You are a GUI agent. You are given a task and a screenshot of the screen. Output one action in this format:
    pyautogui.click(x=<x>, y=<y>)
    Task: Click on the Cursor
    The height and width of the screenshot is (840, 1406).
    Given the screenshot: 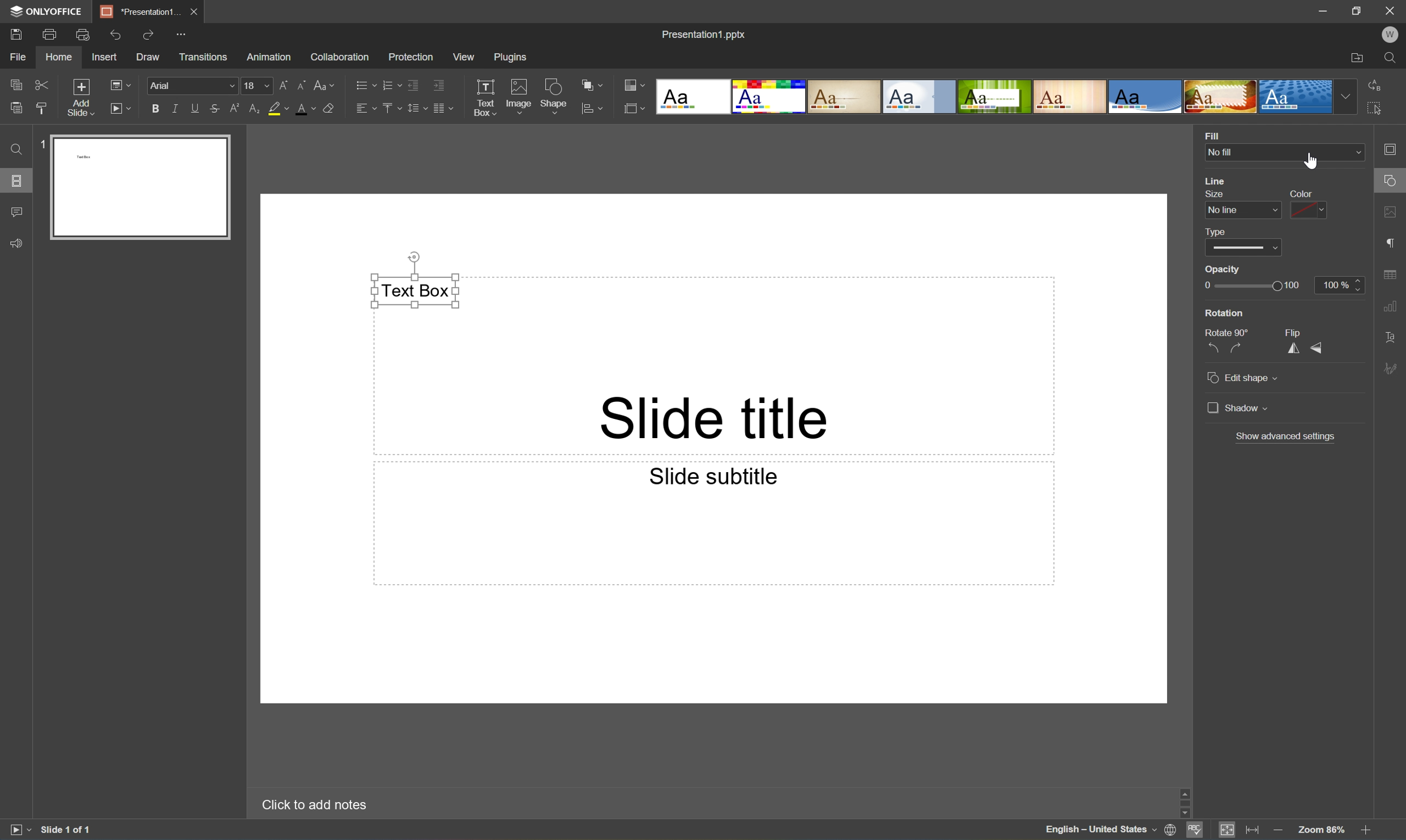 What is the action you would take?
    pyautogui.click(x=1391, y=181)
    